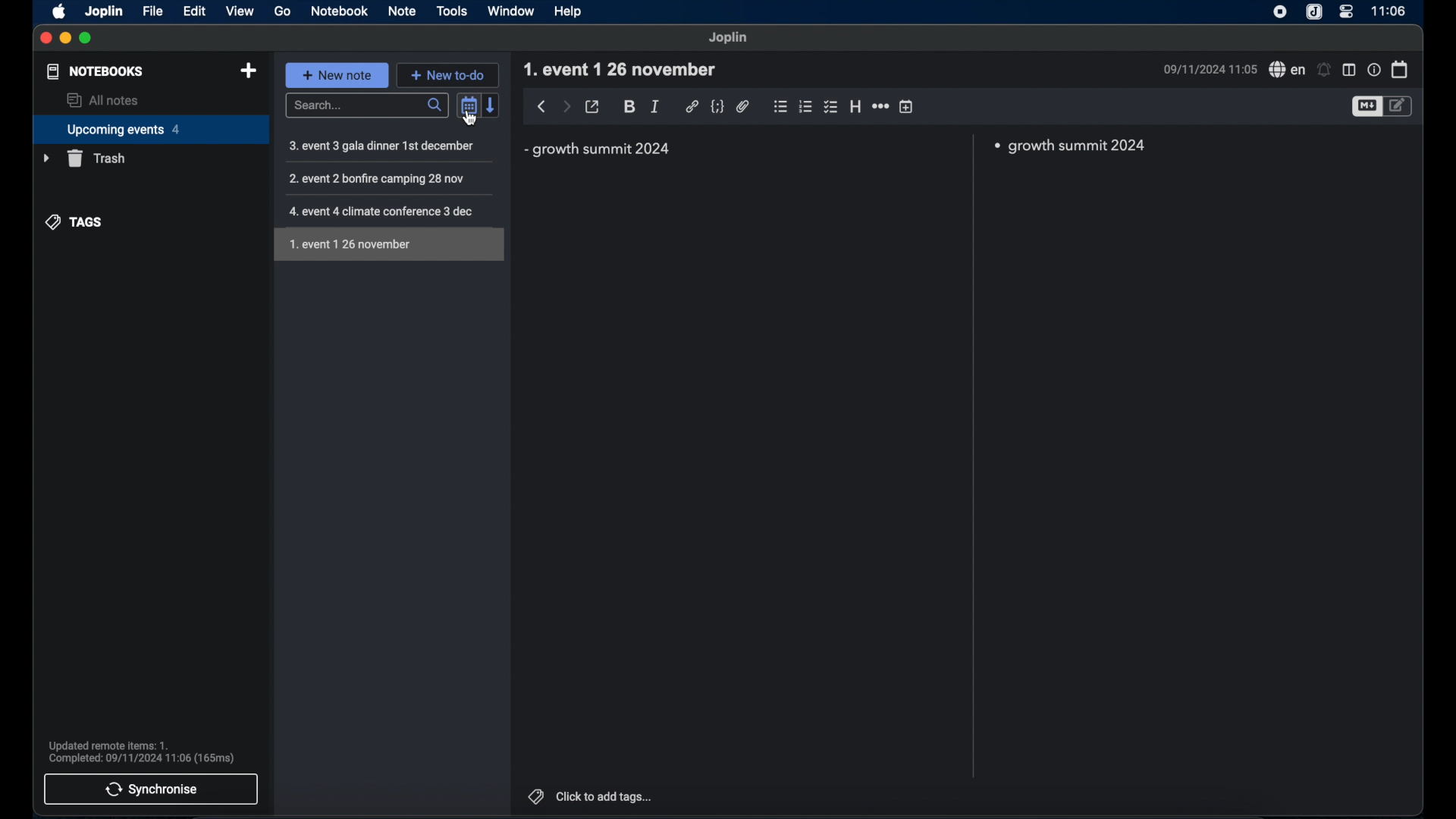 The image size is (1456, 819). I want to click on Cursor, so click(469, 119).